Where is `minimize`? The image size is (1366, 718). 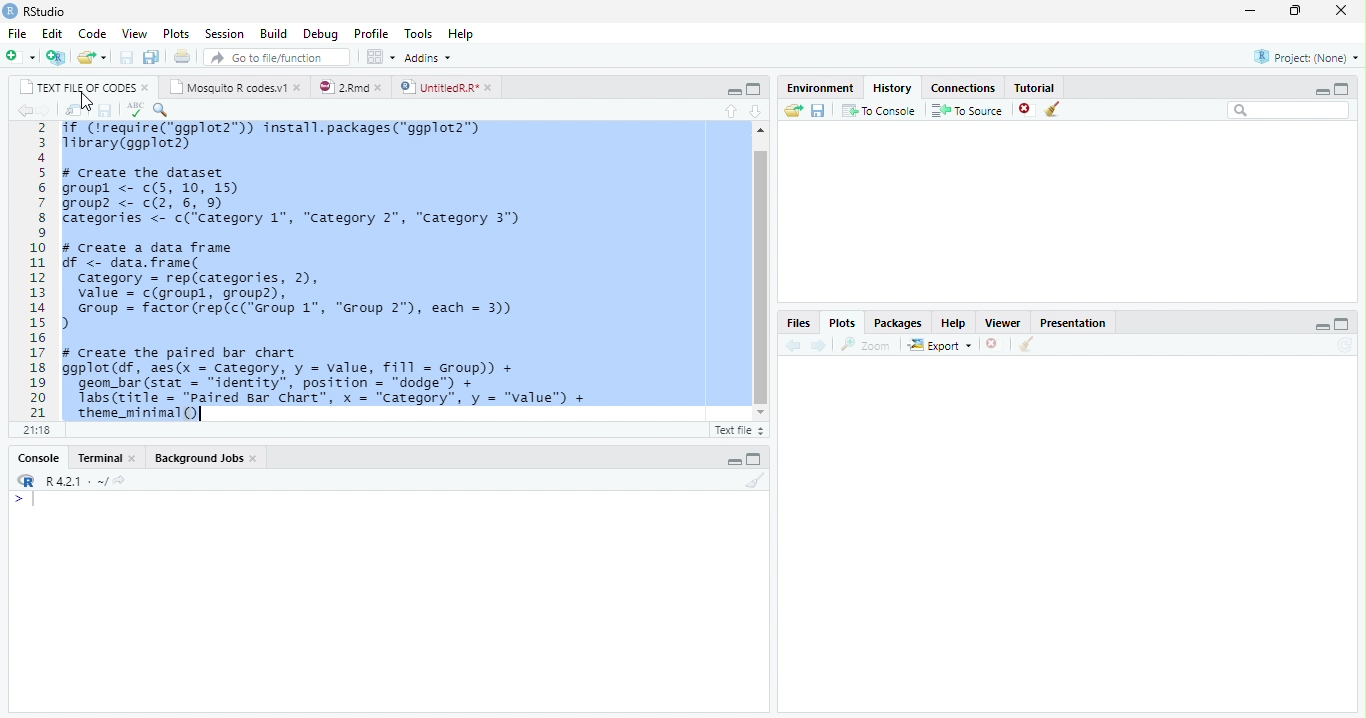 minimize is located at coordinates (734, 462).